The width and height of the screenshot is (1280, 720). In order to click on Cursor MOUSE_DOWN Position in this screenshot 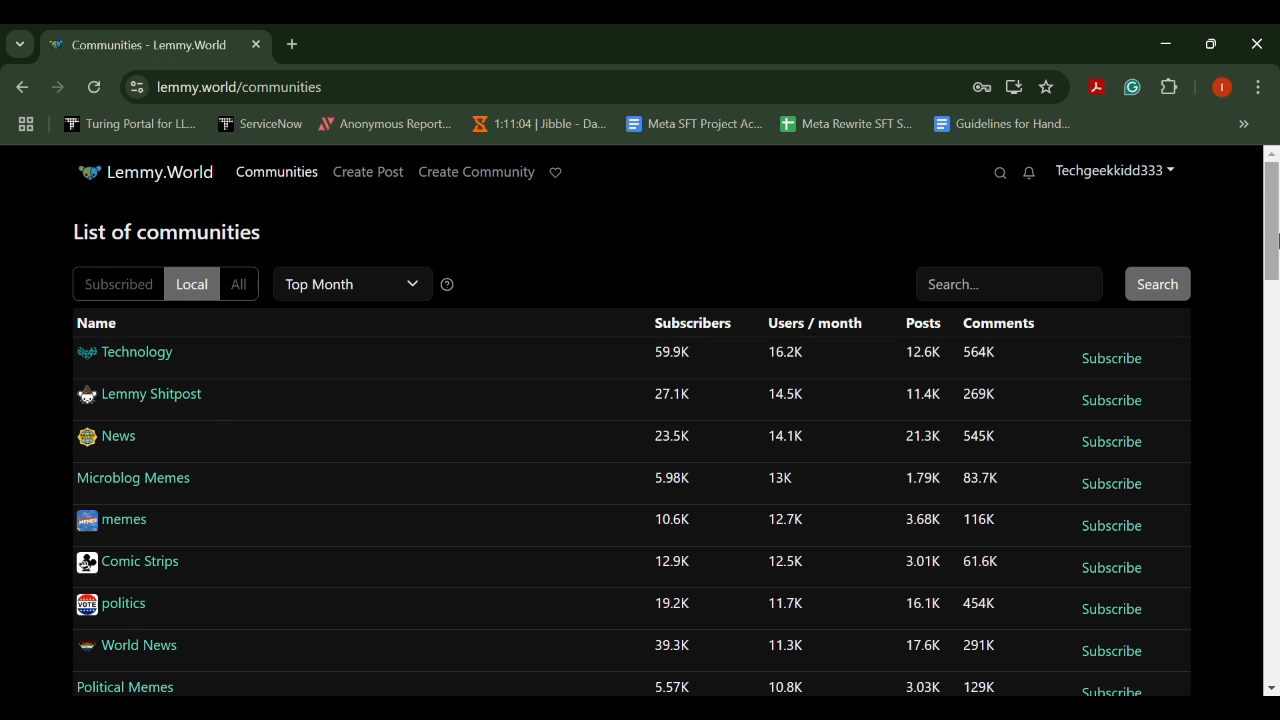, I will do `click(1270, 219)`.